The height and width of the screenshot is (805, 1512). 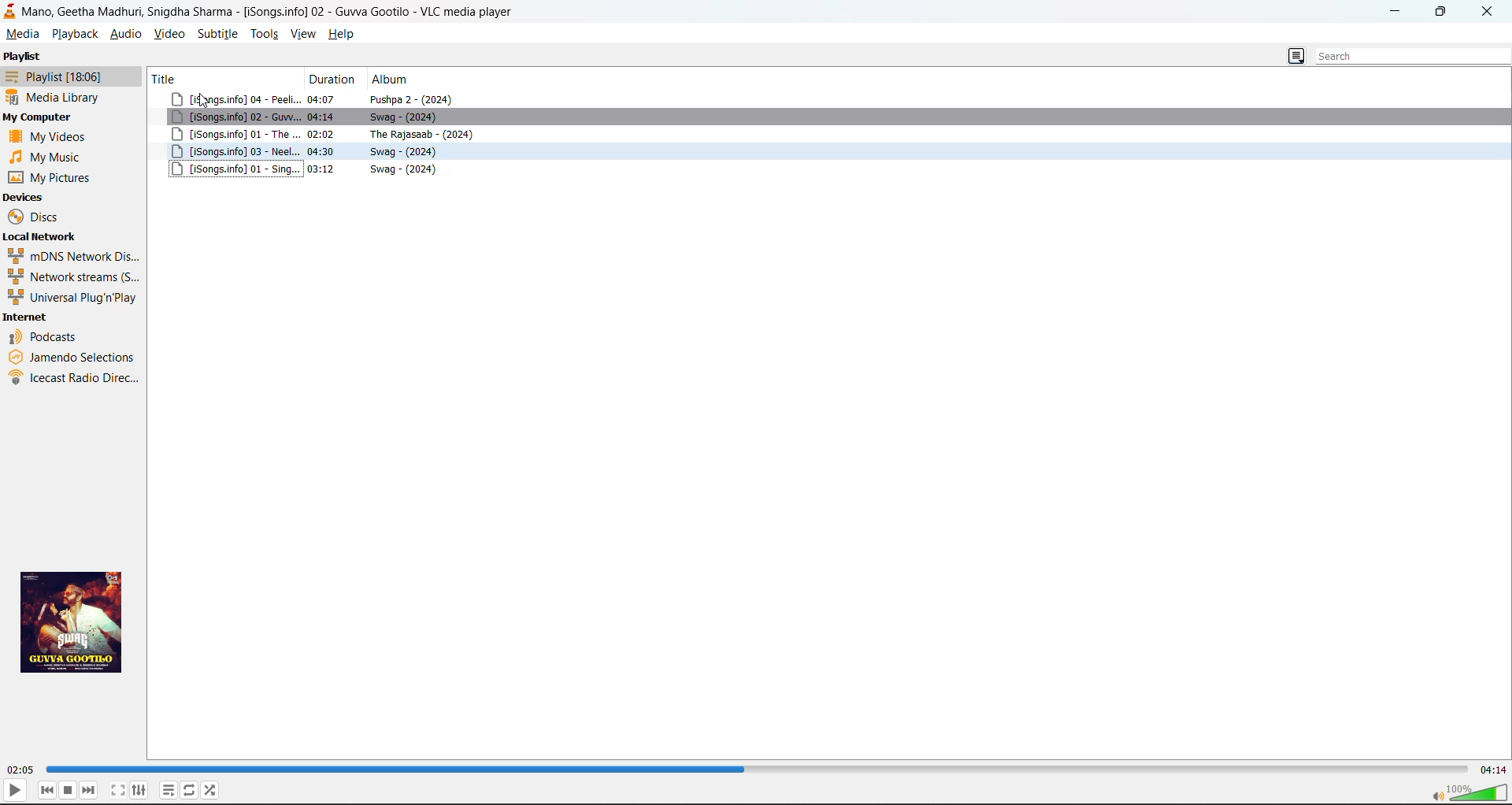 What do you see at coordinates (304, 33) in the screenshot?
I see `view` at bounding box center [304, 33].